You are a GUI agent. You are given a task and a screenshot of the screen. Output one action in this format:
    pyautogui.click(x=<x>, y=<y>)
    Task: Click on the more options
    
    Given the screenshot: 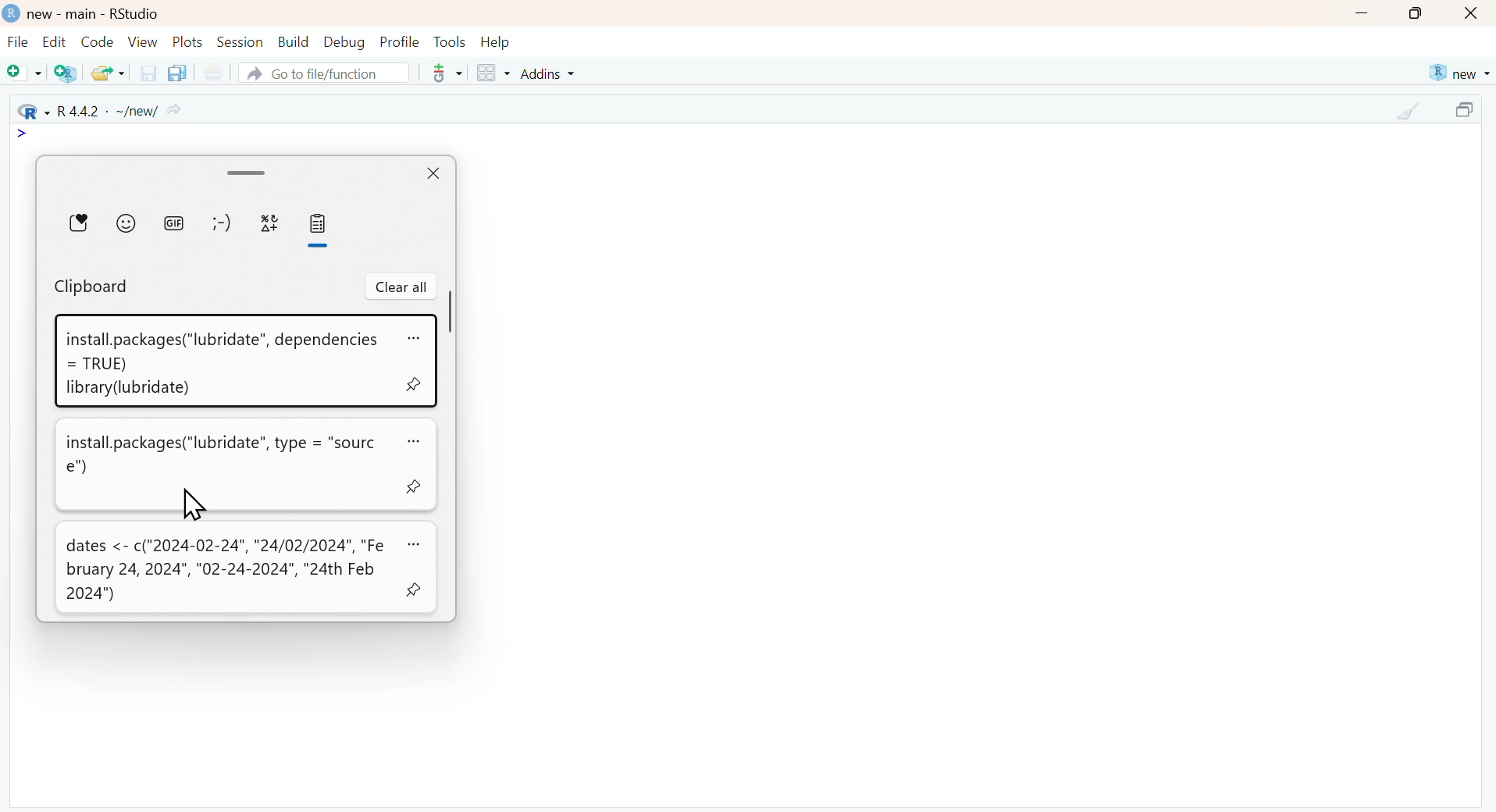 What is the action you would take?
    pyautogui.click(x=442, y=73)
    